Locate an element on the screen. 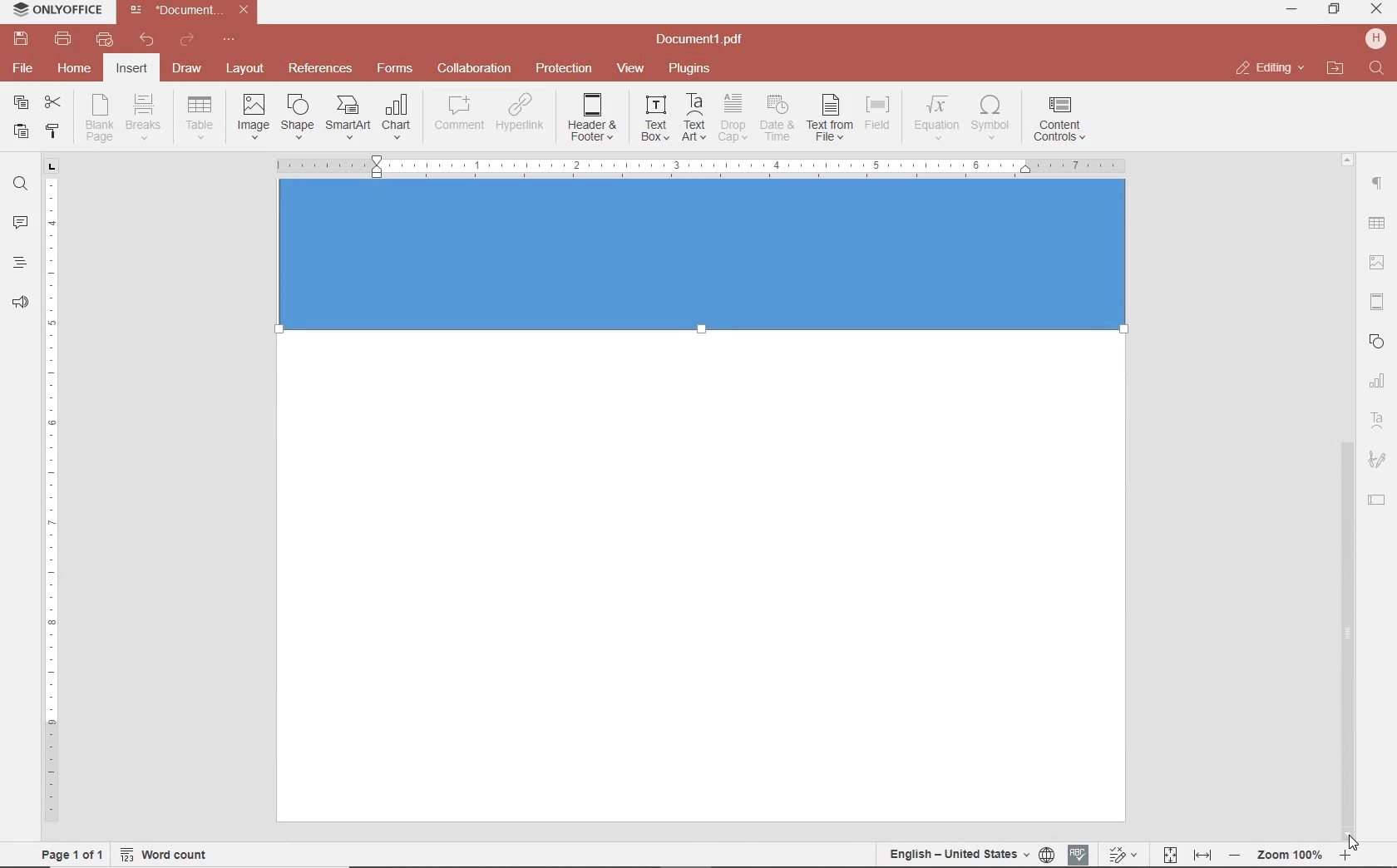 This screenshot has height=868, width=1397. hp is located at coordinates (1379, 38).